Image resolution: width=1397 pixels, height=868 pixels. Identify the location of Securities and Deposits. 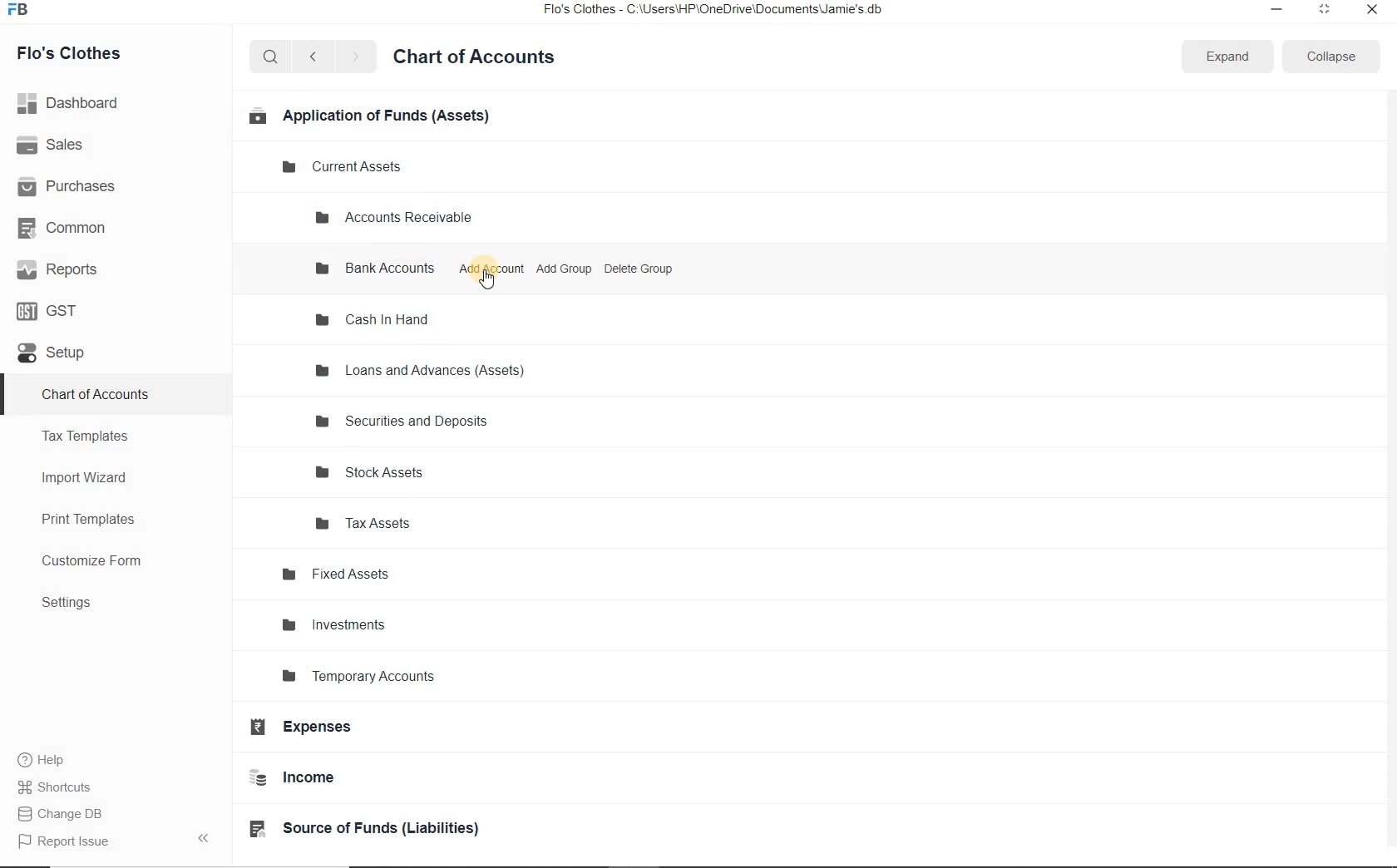
(405, 421).